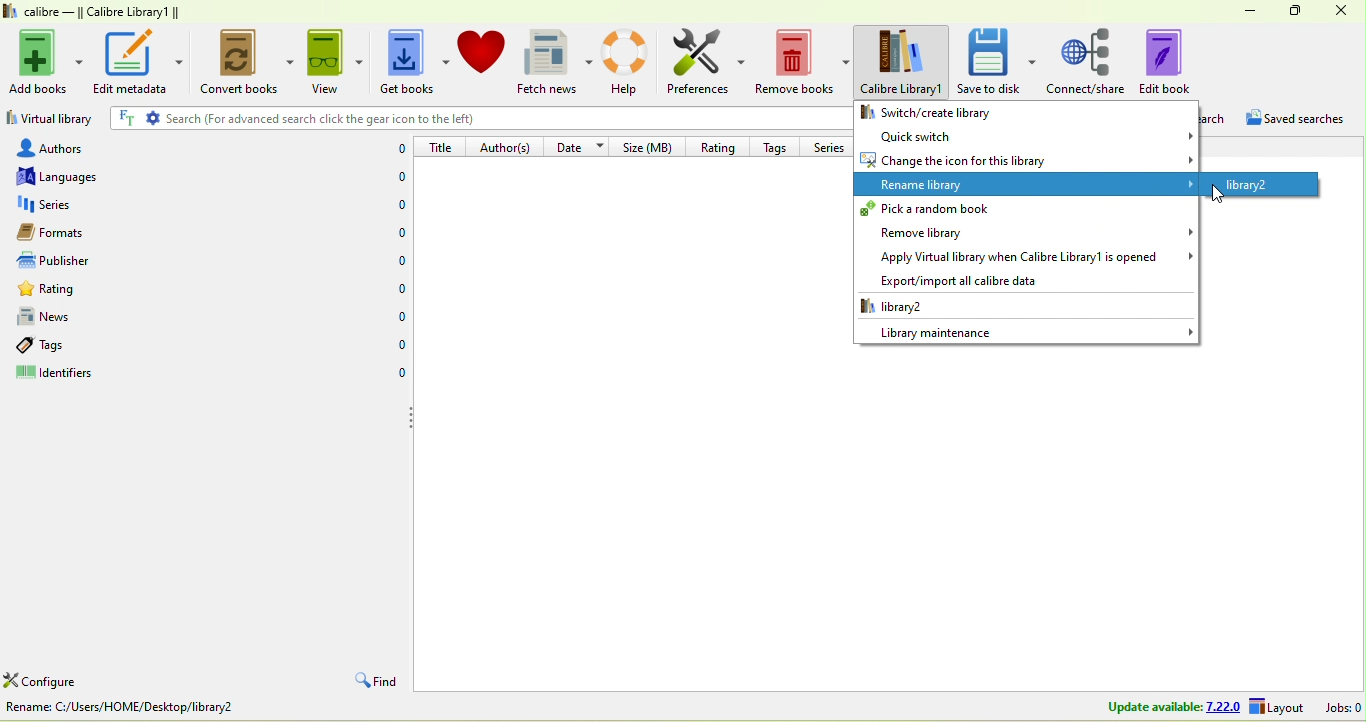 The image size is (1366, 722). I want to click on 0, so click(396, 288).